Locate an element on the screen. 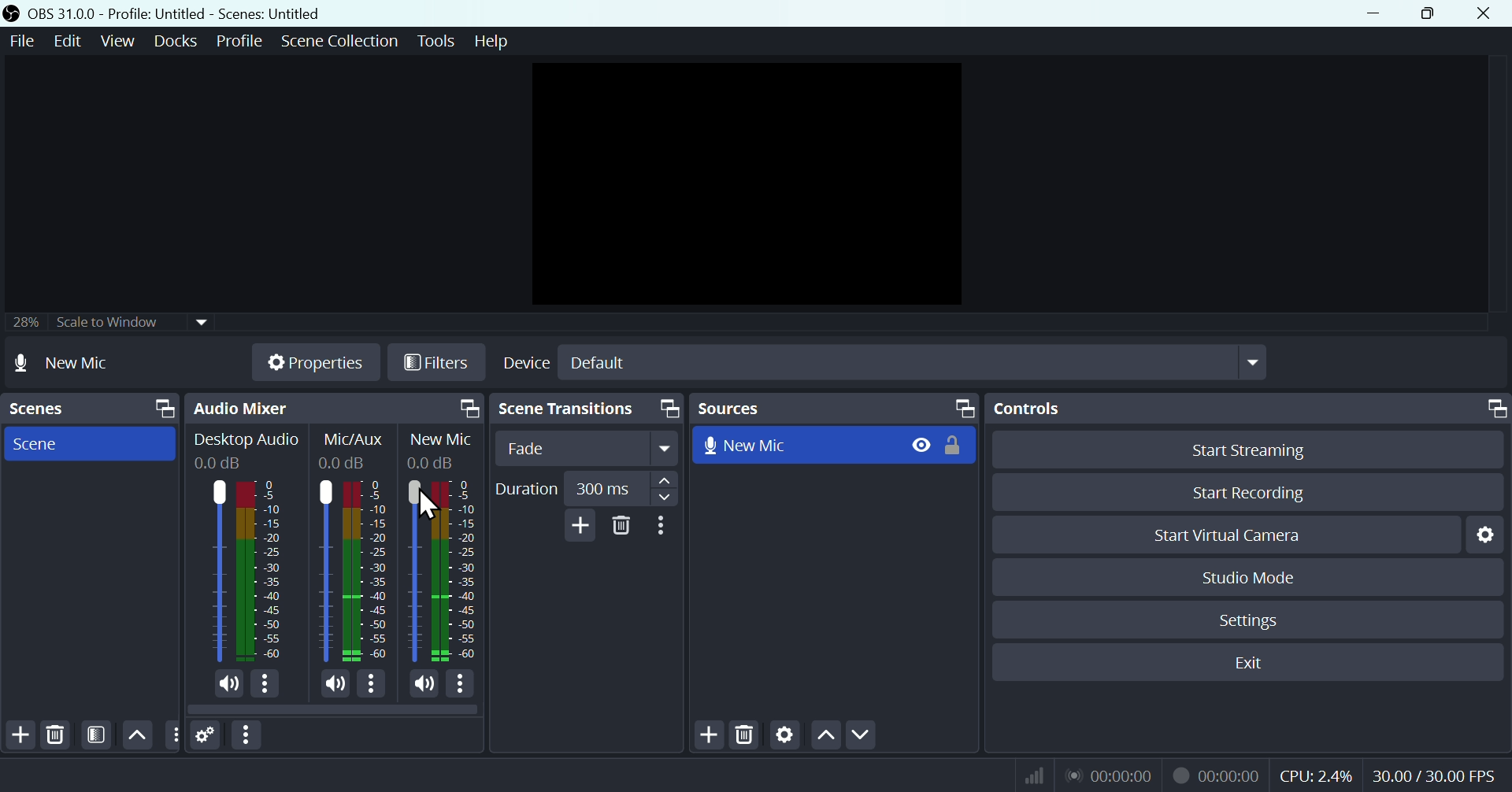 This screenshot has height=792, width=1512. Mic is located at coordinates (413, 572).